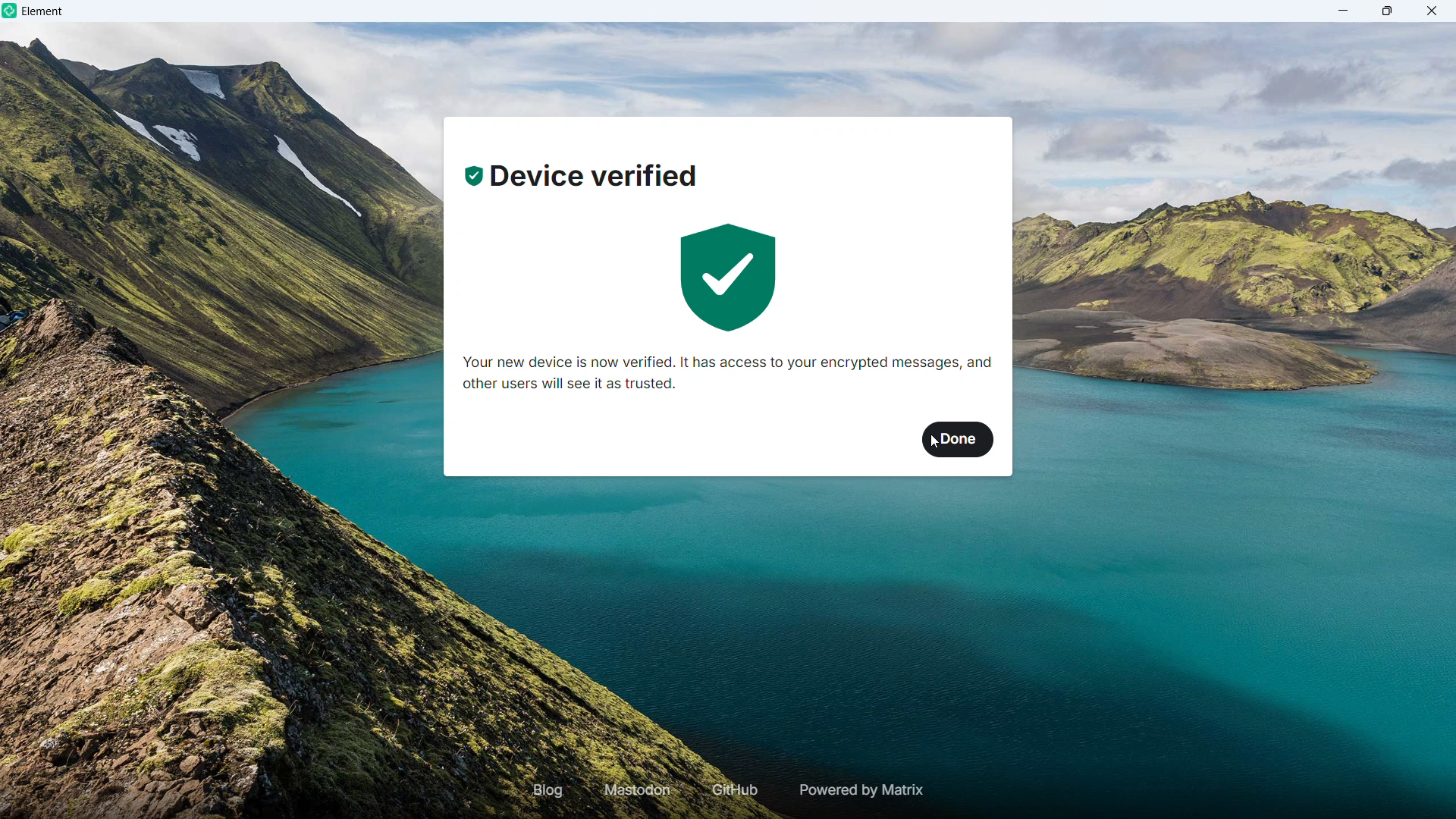  I want to click on Mastodon , so click(639, 790).